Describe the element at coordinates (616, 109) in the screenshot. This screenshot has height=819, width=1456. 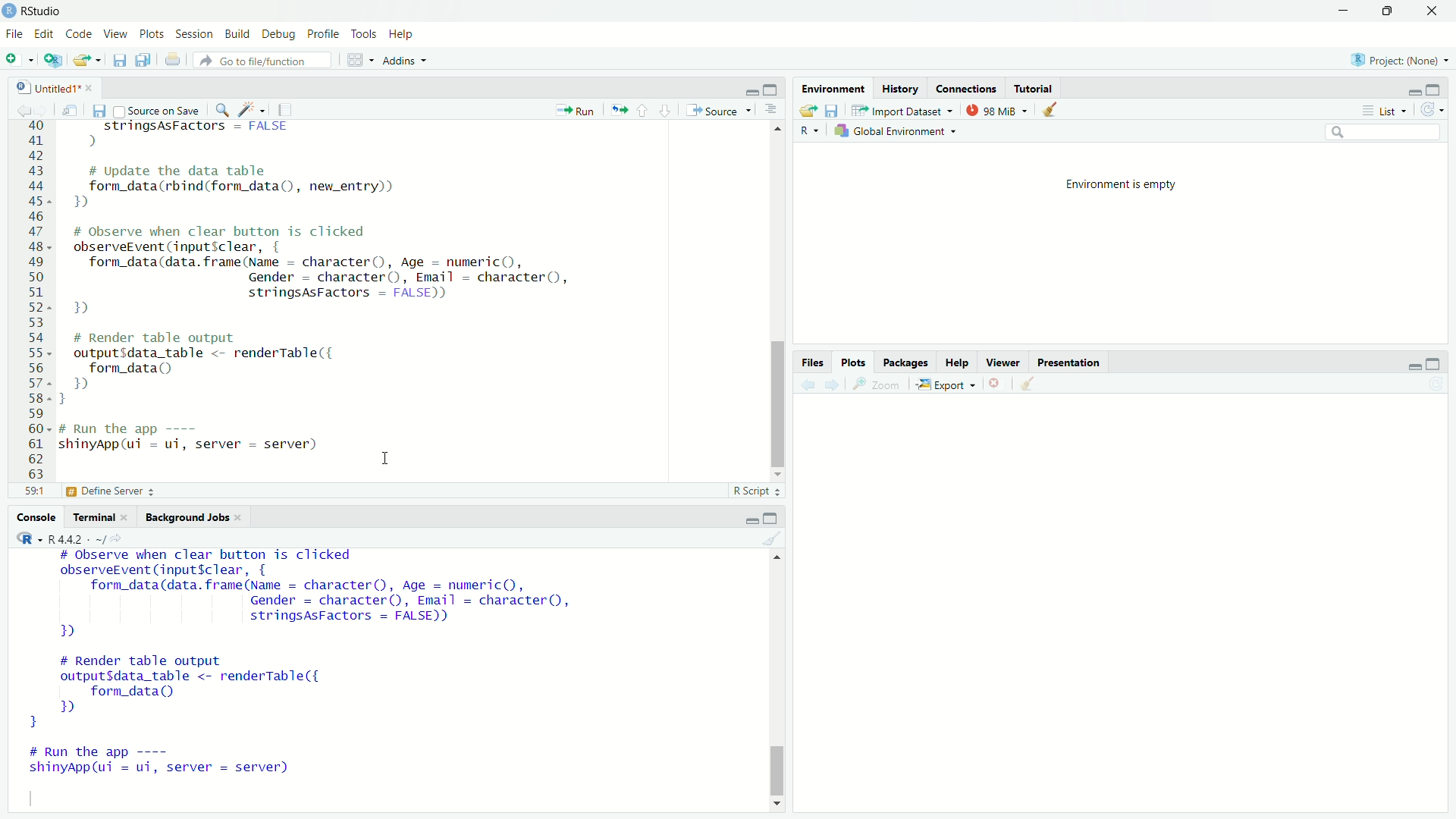
I see `re-run the previous code region` at that location.